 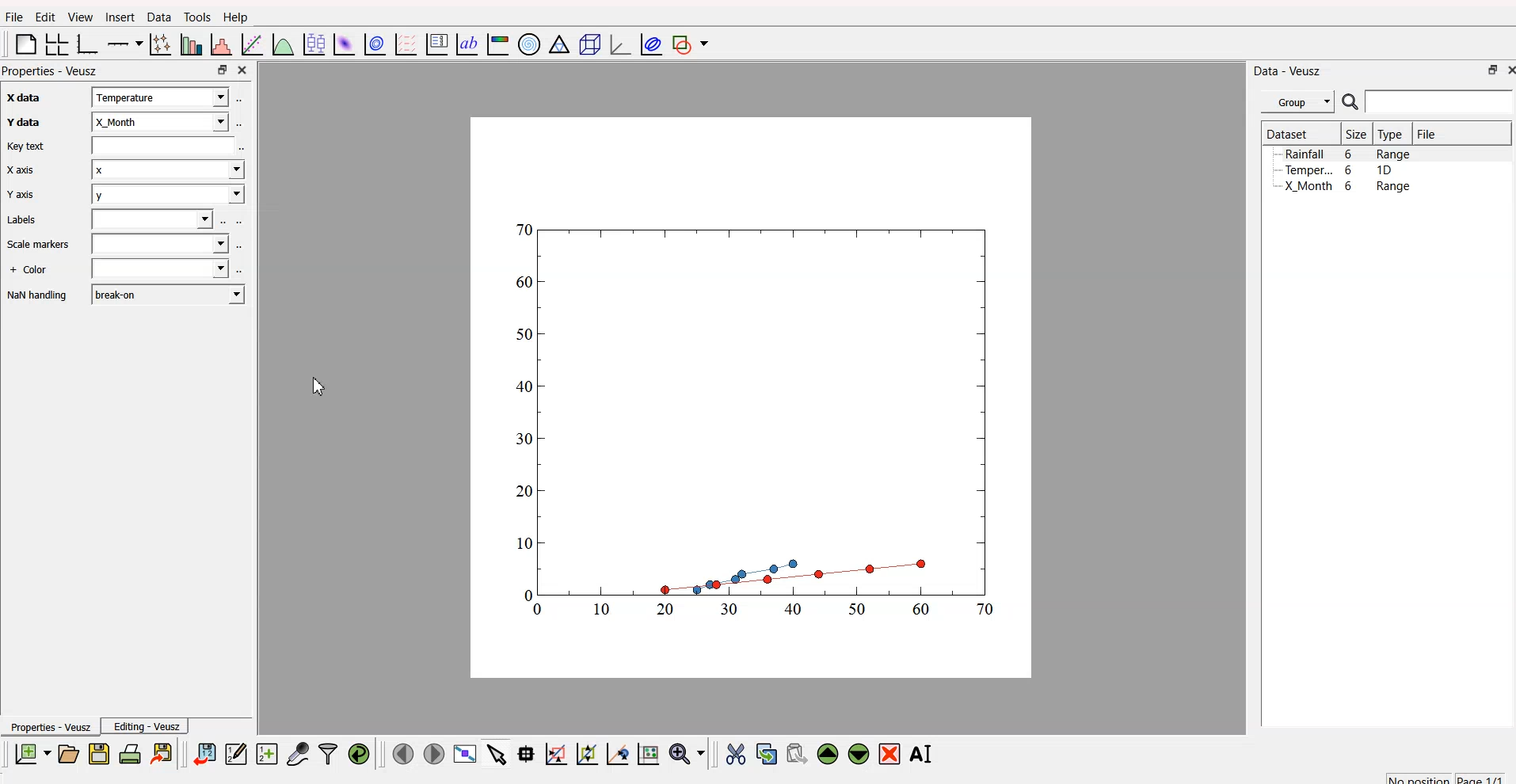 What do you see at coordinates (67, 752) in the screenshot?
I see `open a document` at bounding box center [67, 752].